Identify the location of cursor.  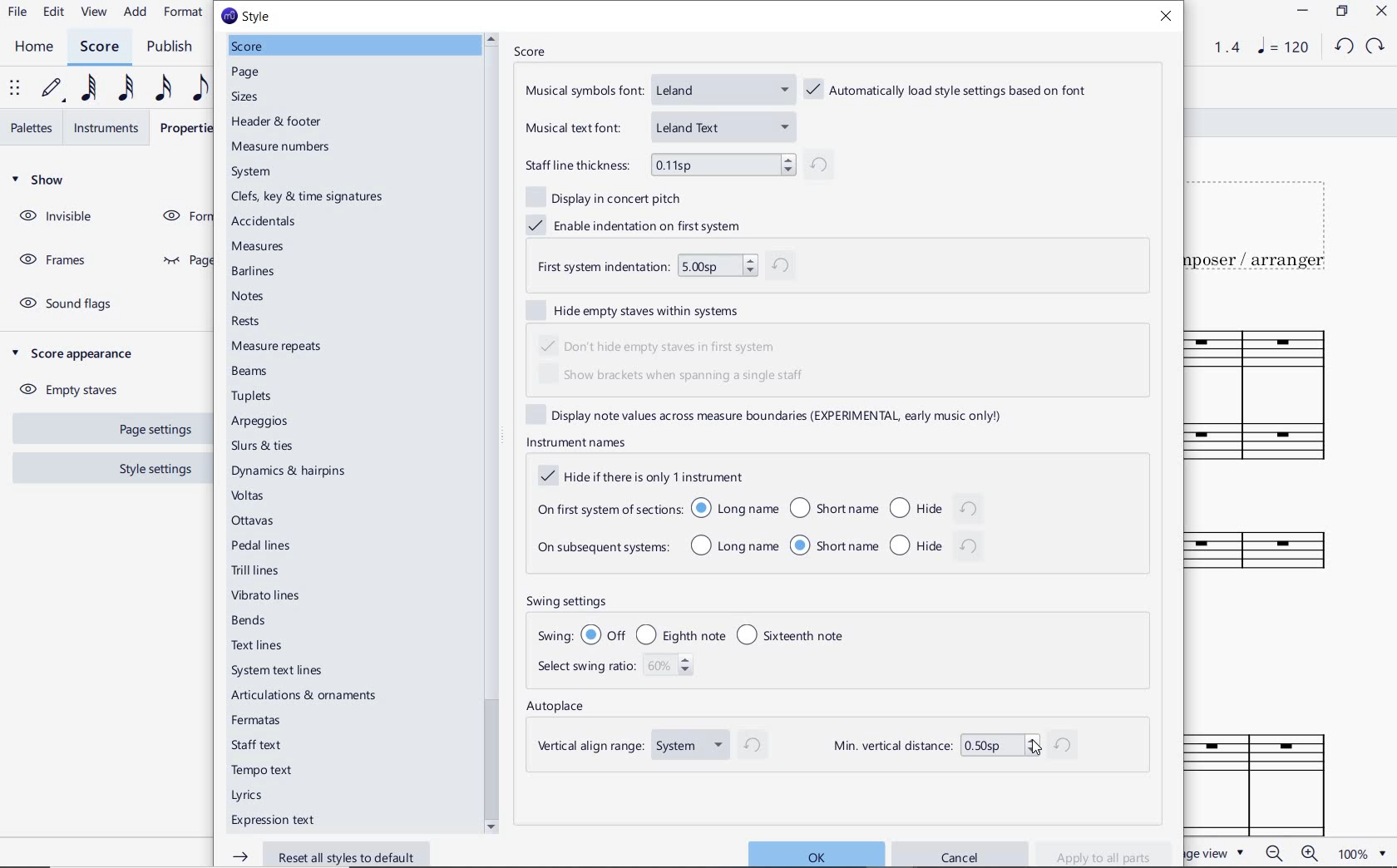
(1036, 752).